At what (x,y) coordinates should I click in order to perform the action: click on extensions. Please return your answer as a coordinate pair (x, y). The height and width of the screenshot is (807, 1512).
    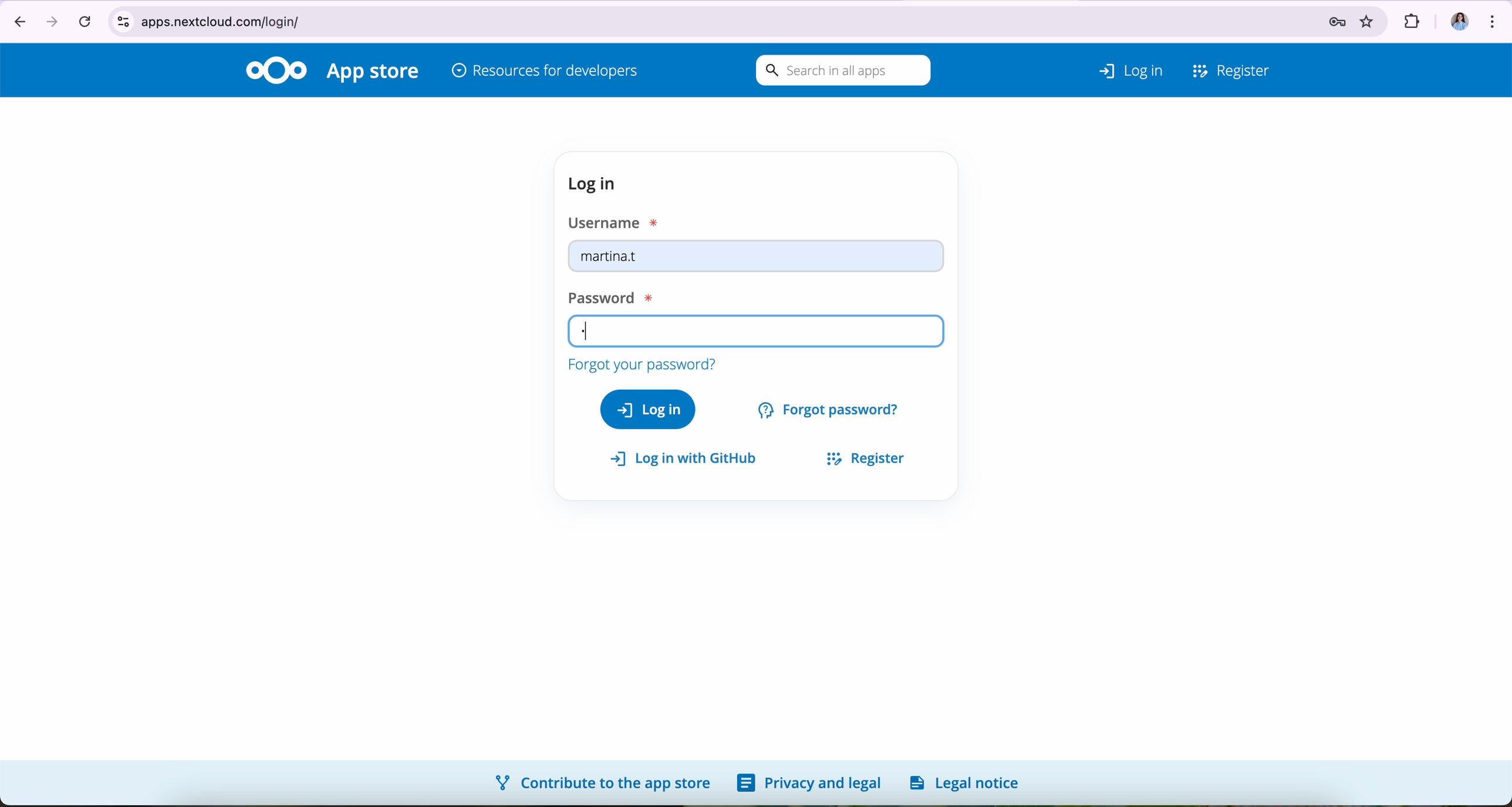
    Looking at the image, I should click on (1410, 18).